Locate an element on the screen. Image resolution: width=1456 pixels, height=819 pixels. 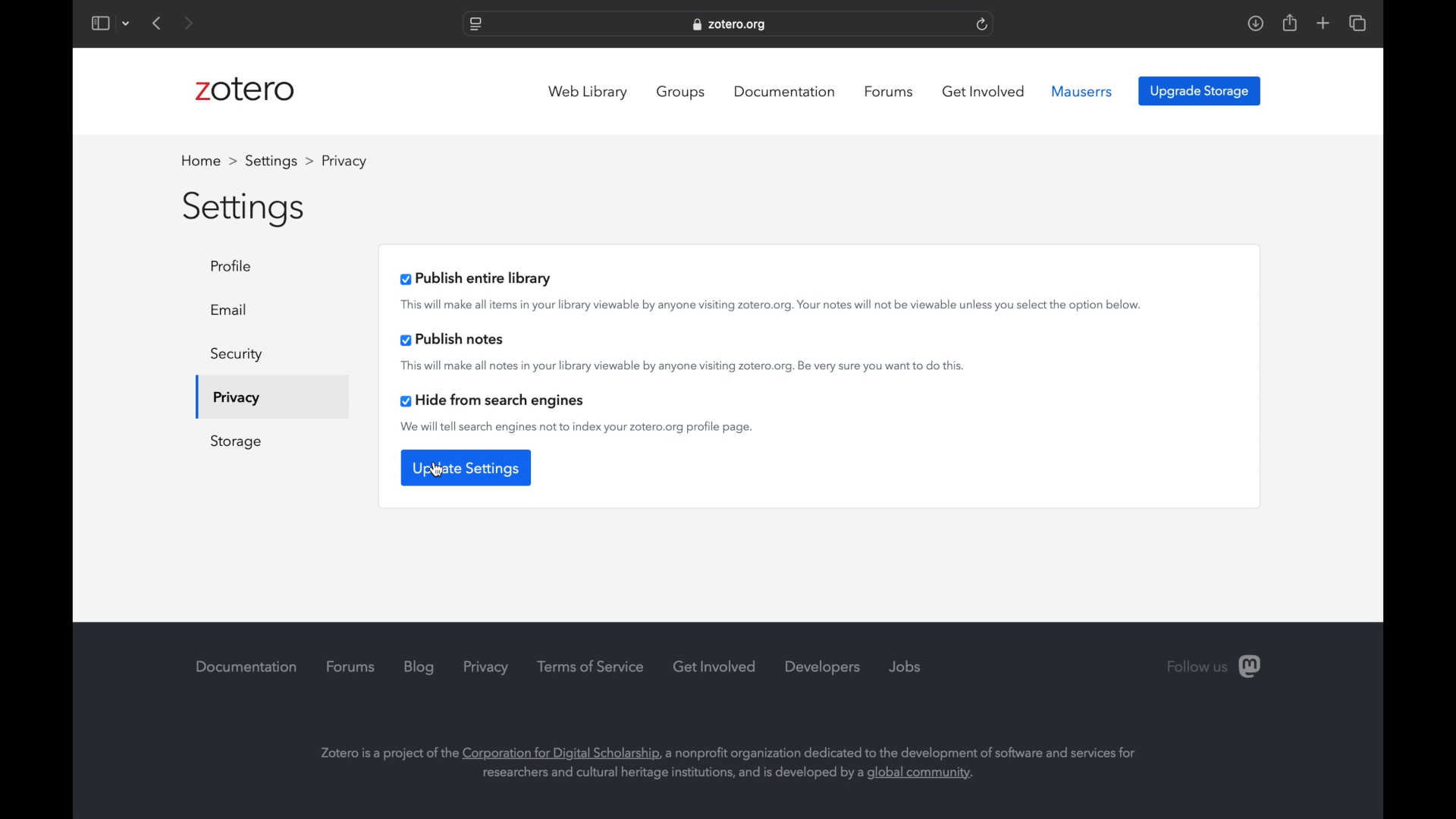
forums is located at coordinates (889, 92).